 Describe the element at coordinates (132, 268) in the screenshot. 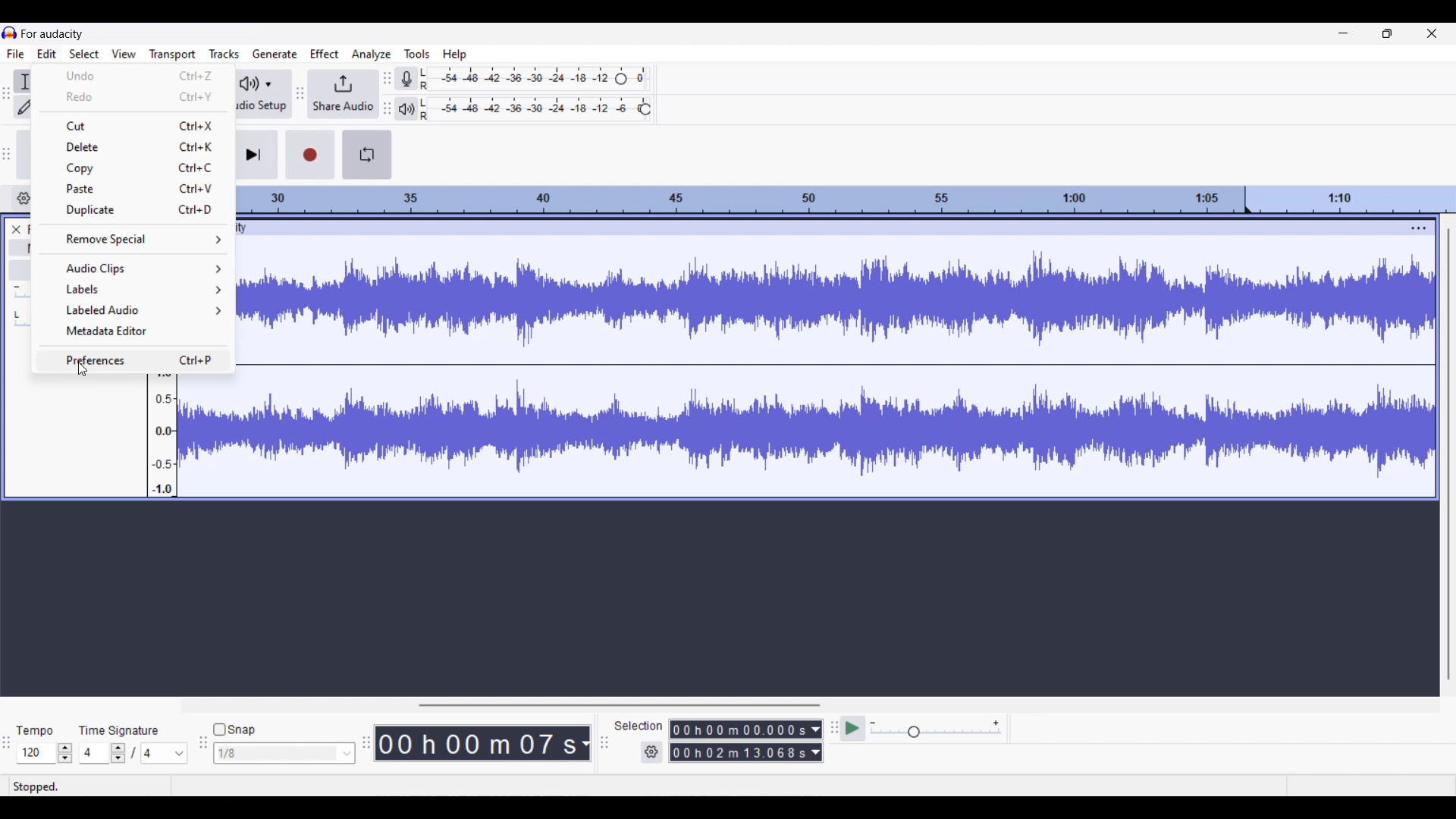

I see `Audio clips options` at that location.